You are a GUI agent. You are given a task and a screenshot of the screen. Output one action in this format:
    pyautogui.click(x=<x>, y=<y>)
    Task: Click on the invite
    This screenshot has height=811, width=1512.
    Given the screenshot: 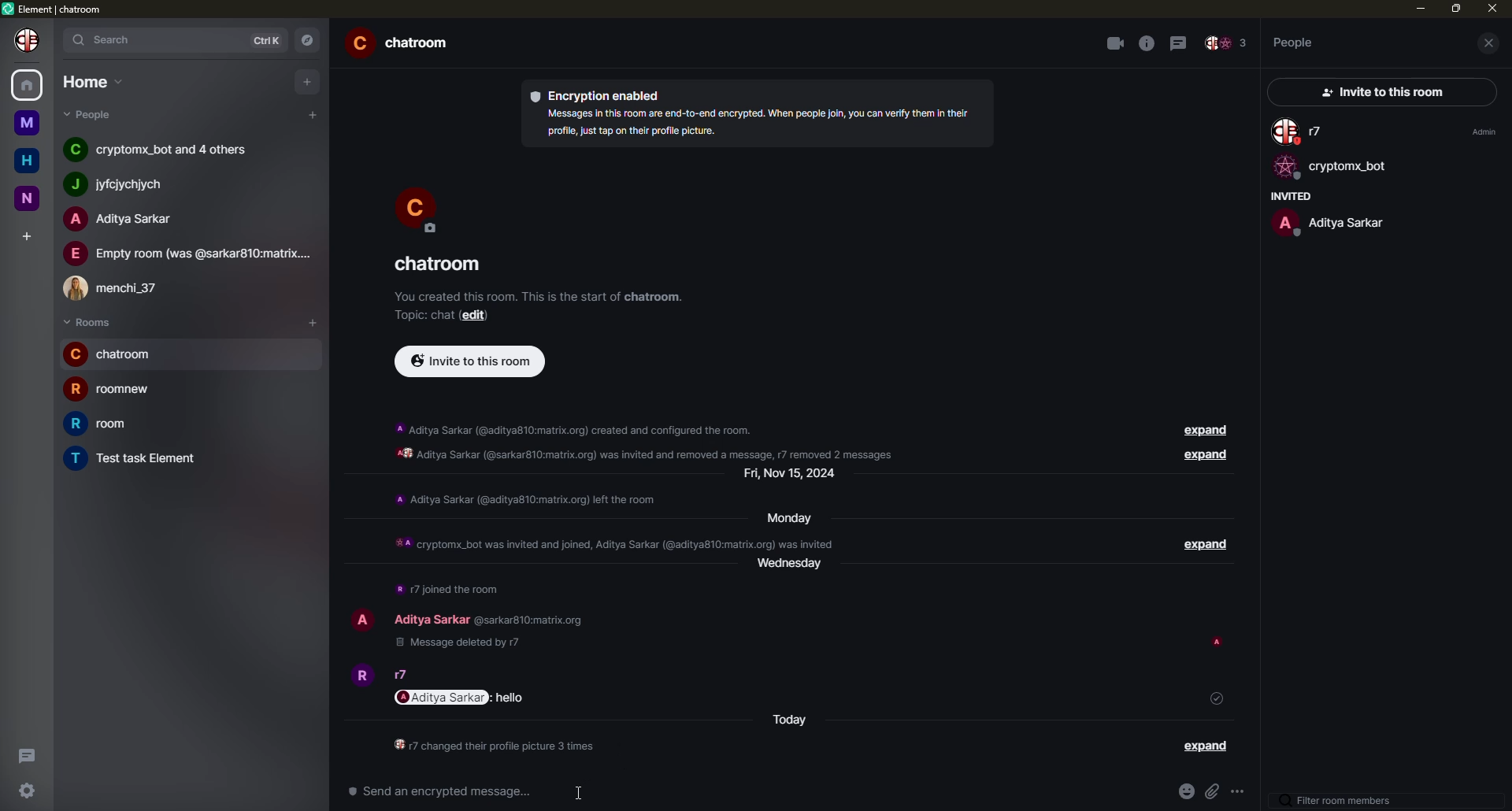 What is the action you would take?
    pyautogui.click(x=1377, y=93)
    